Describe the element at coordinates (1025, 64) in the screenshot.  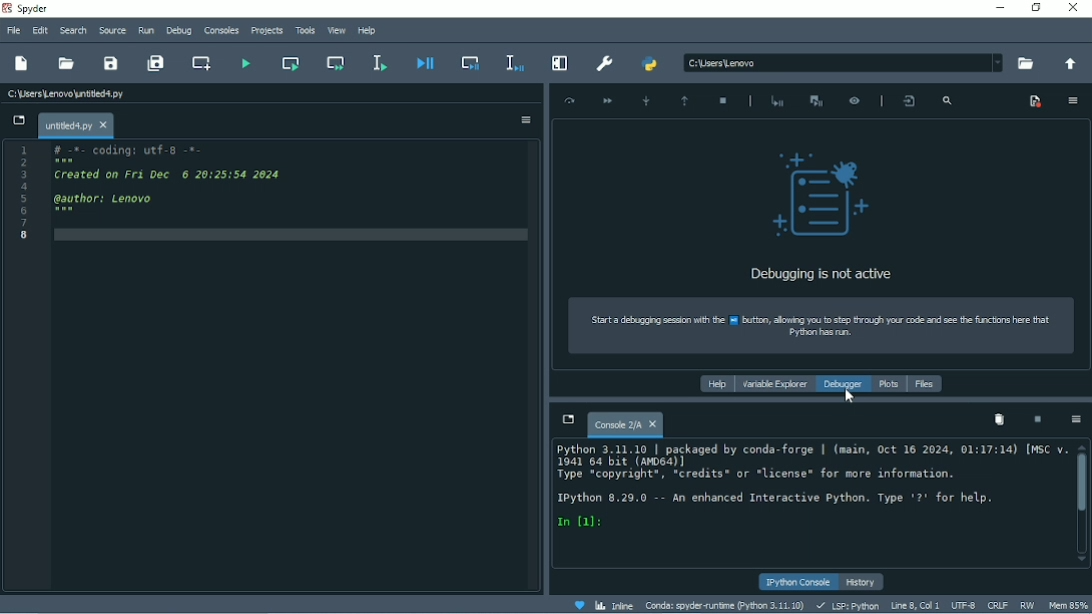
I see `Browse a working directory` at that location.